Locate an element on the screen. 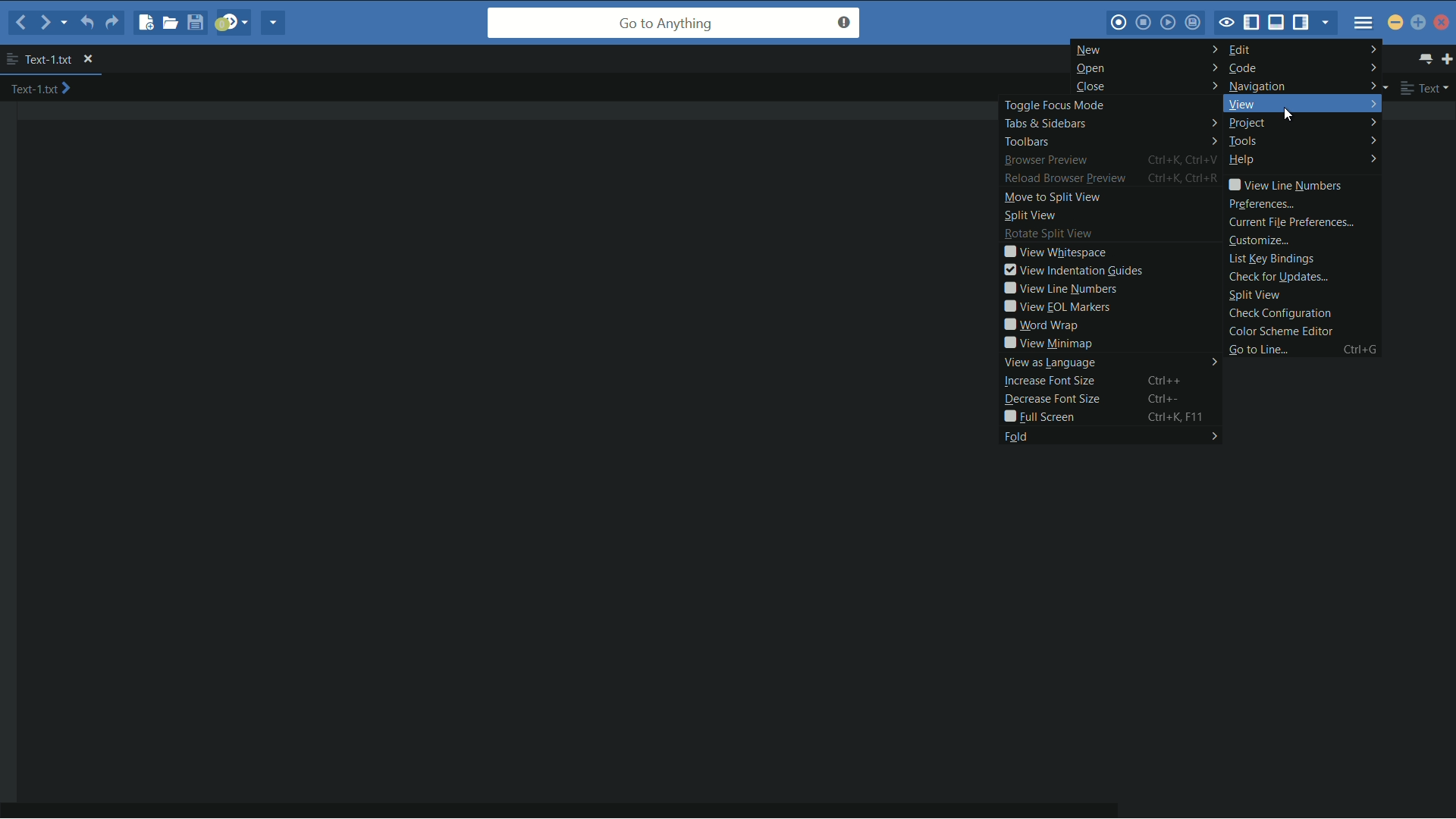  menu is located at coordinates (1364, 24).